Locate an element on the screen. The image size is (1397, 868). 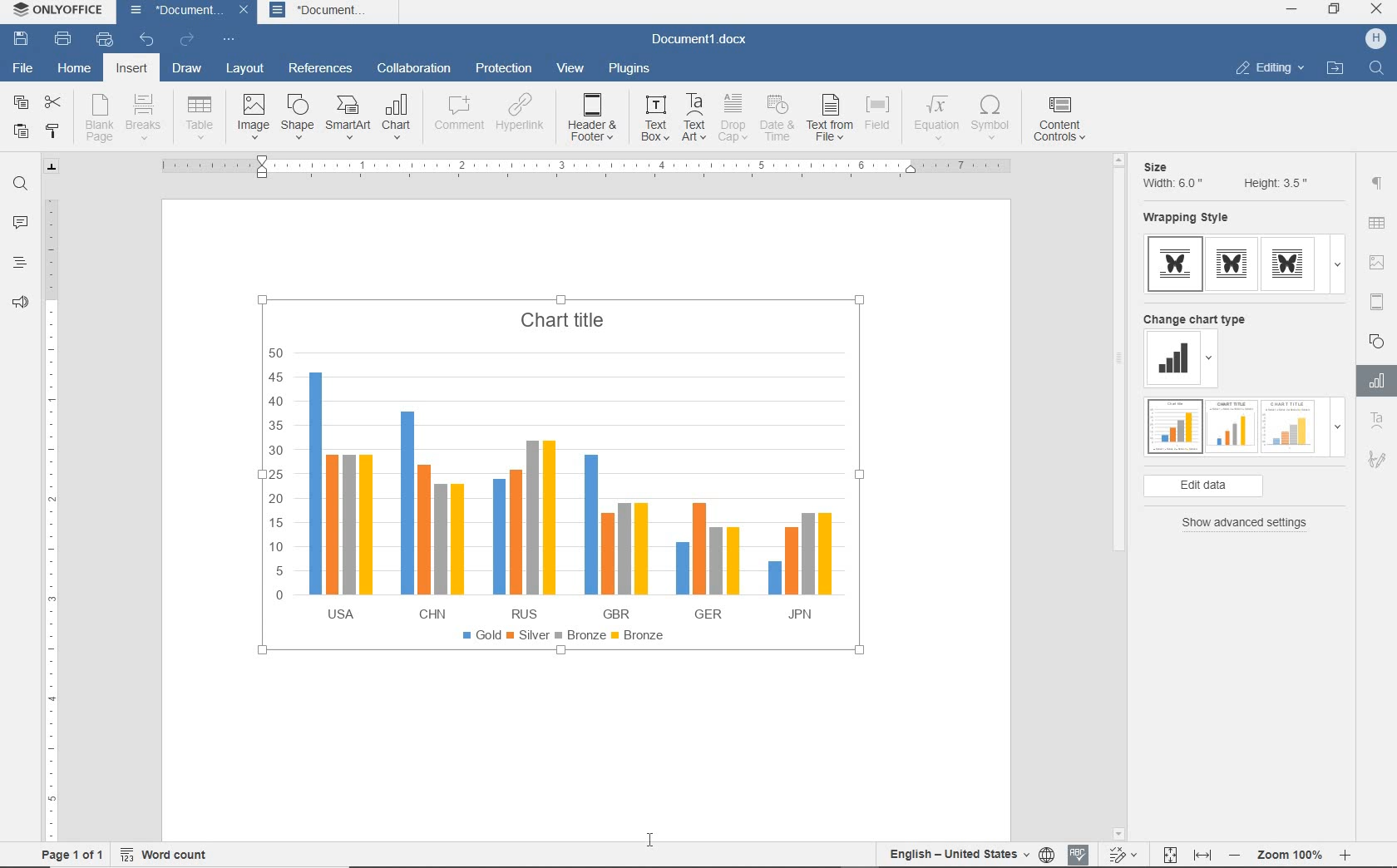
blank page is located at coordinates (99, 118).